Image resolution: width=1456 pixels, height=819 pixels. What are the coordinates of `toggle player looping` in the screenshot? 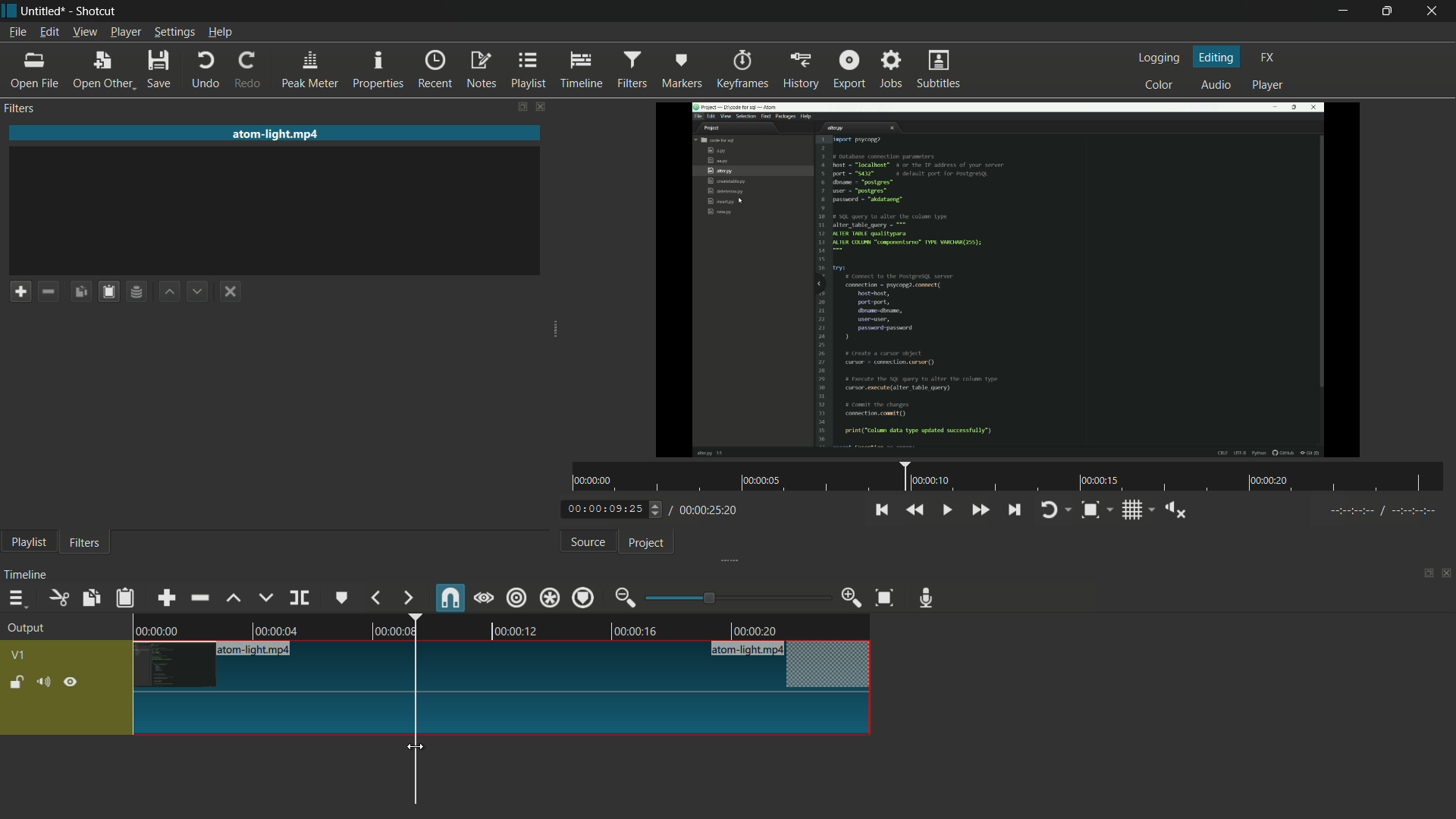 It's located at (1056, 510).